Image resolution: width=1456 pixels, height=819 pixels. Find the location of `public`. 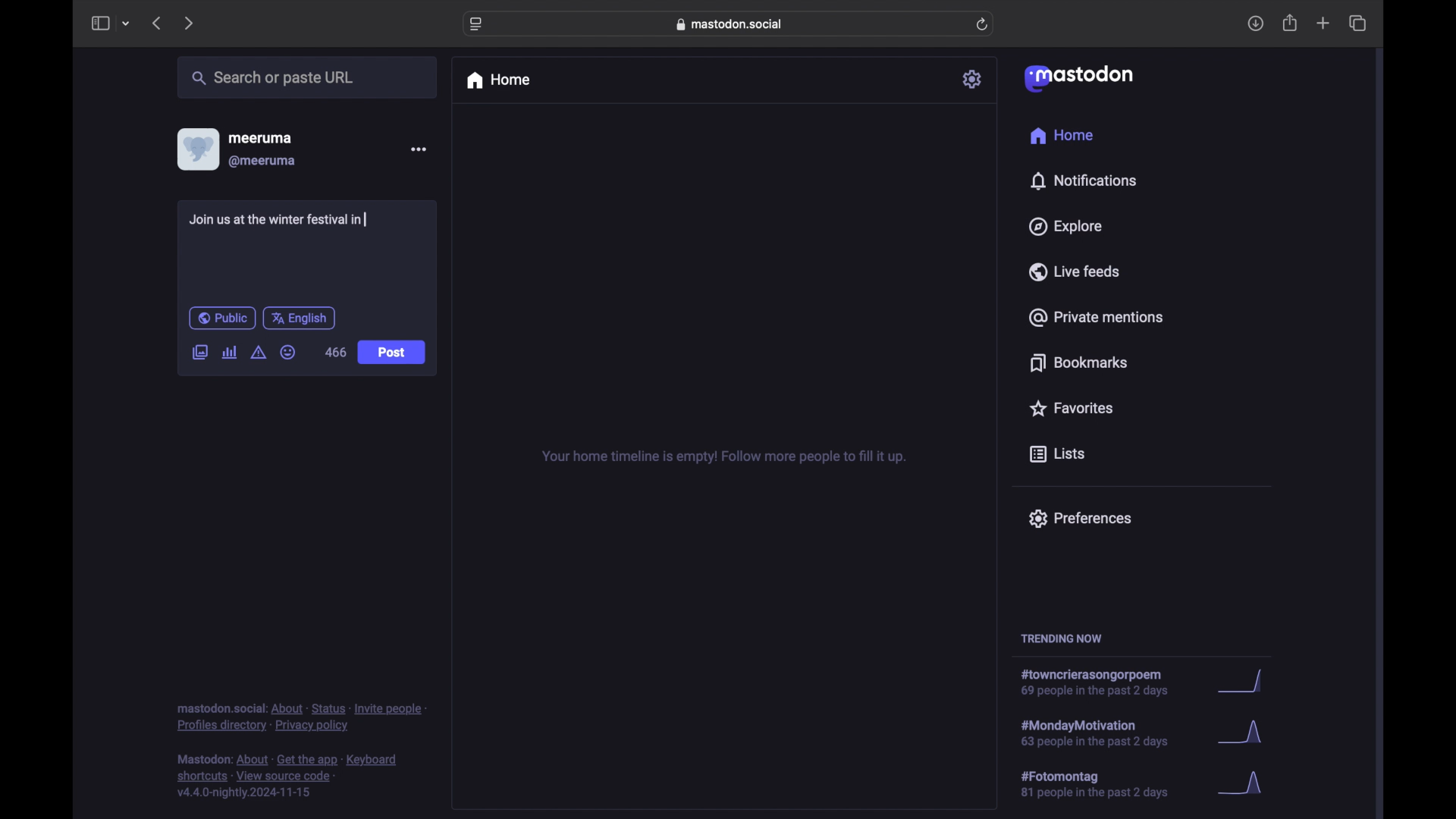

public is located at coordinates (221, 318).